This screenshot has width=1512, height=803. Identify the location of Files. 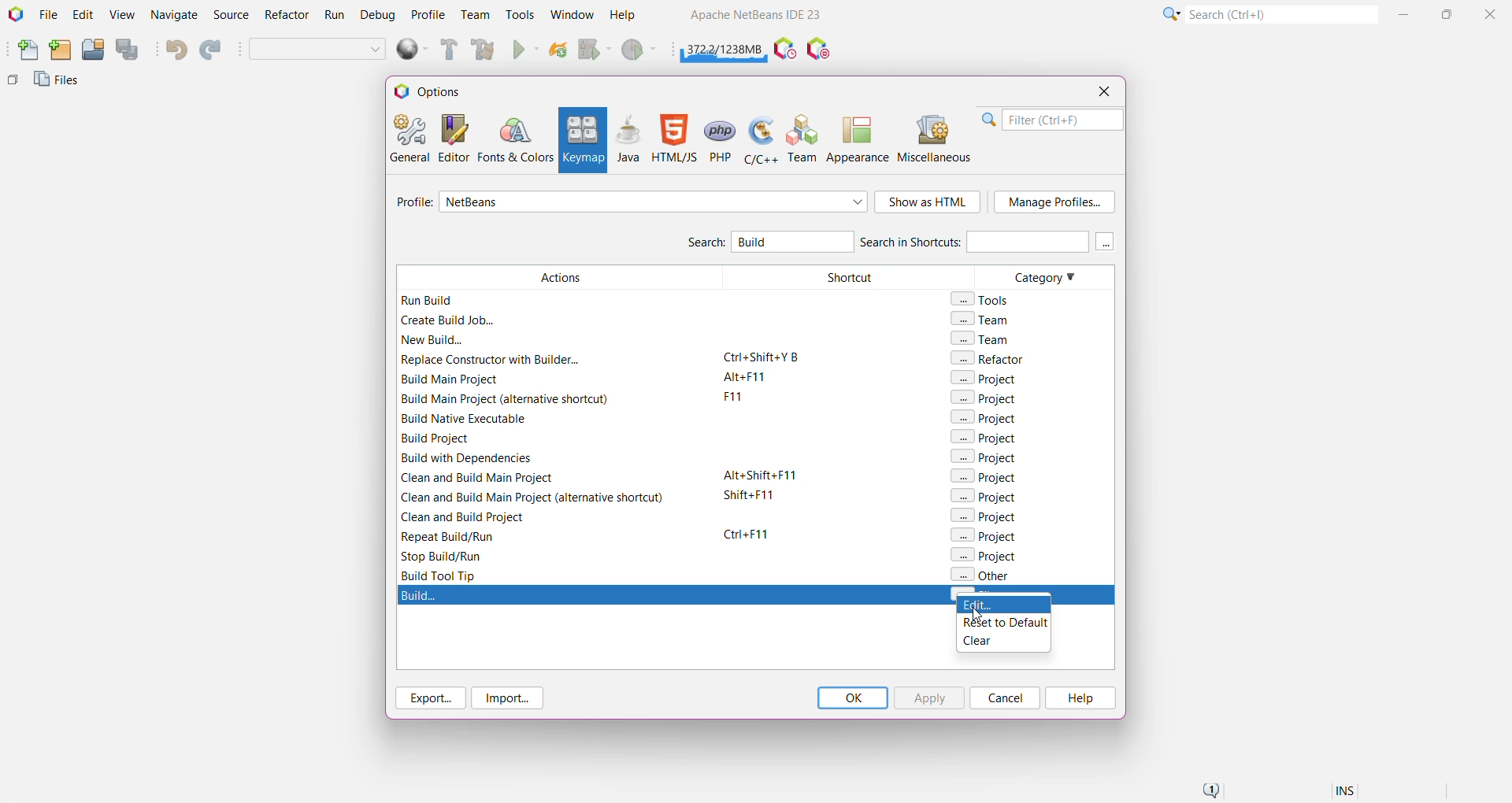
(59, 83).